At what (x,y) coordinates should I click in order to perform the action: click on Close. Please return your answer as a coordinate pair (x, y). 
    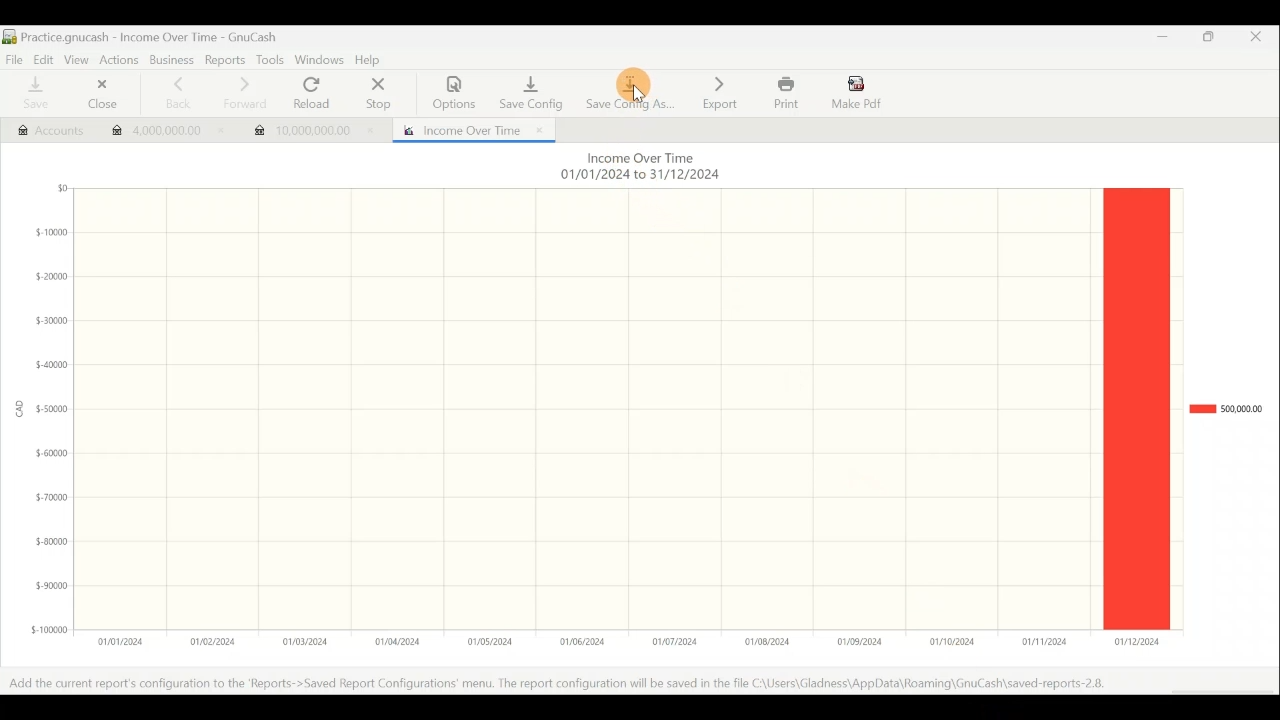
    Looking at the image, I should click on (98, 96).